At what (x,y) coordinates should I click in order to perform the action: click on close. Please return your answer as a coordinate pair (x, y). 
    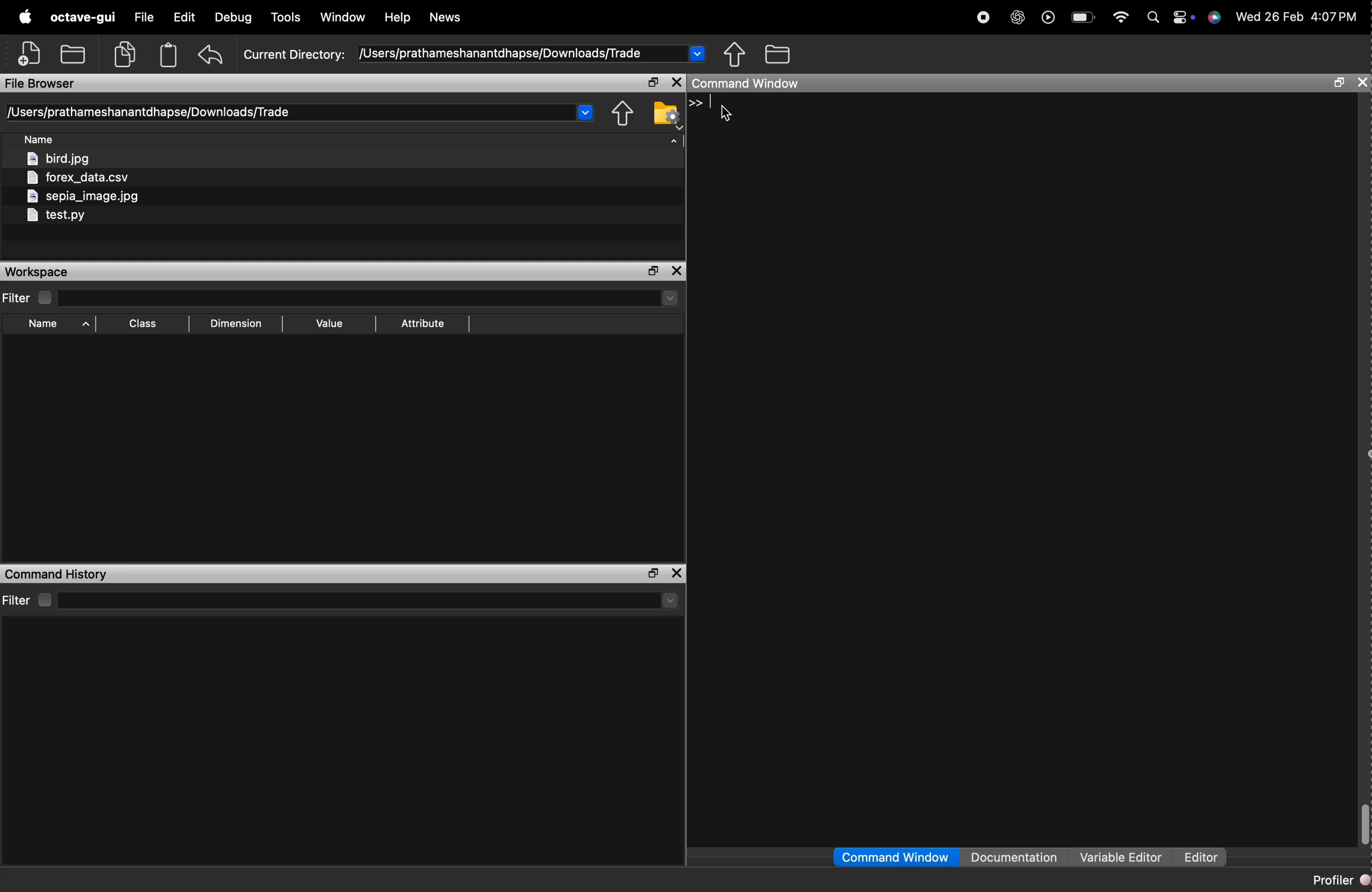
    Looking at the image, I should click on (678, 82).